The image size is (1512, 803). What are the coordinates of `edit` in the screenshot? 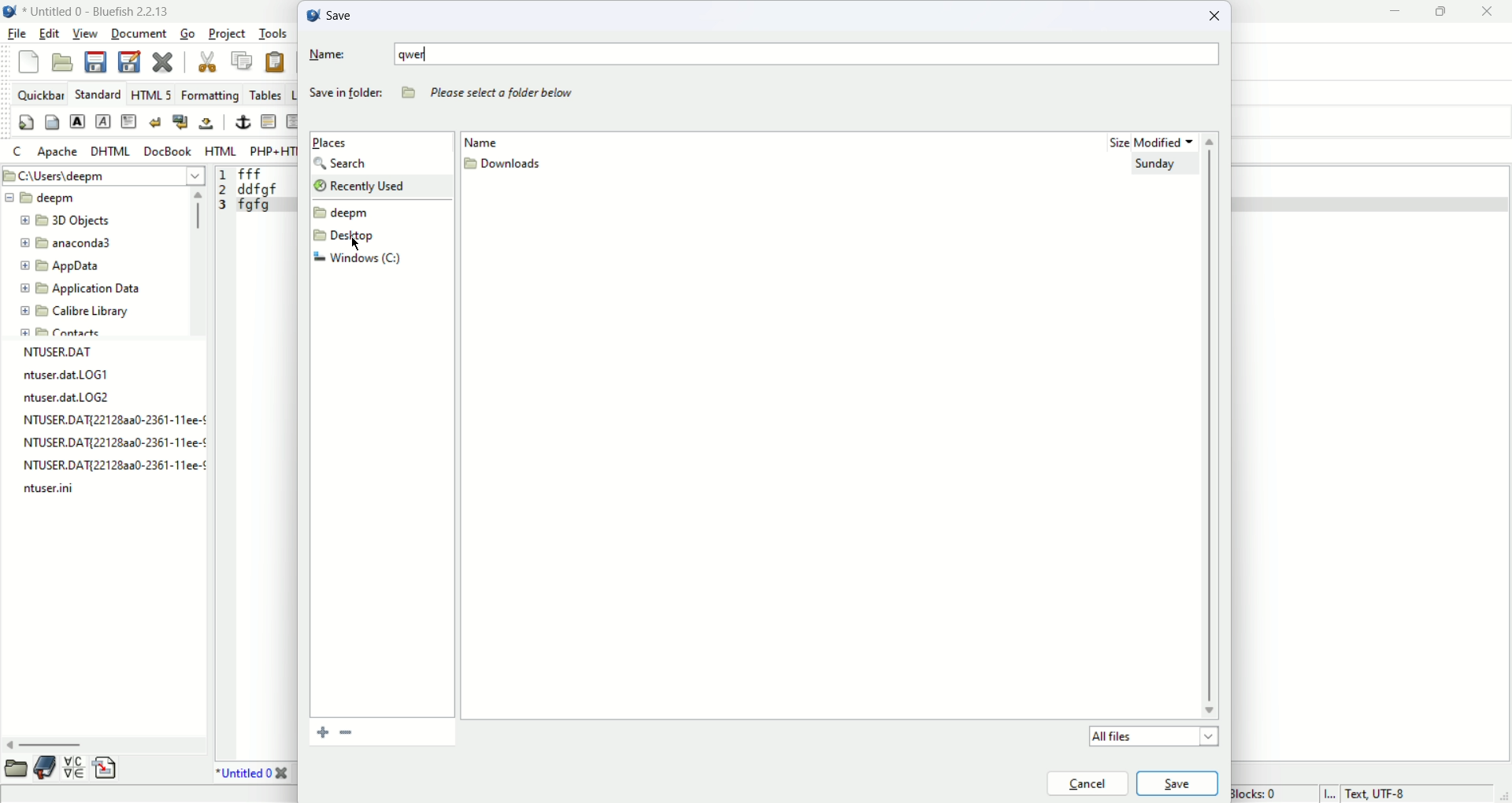 It's located at (50, 33).